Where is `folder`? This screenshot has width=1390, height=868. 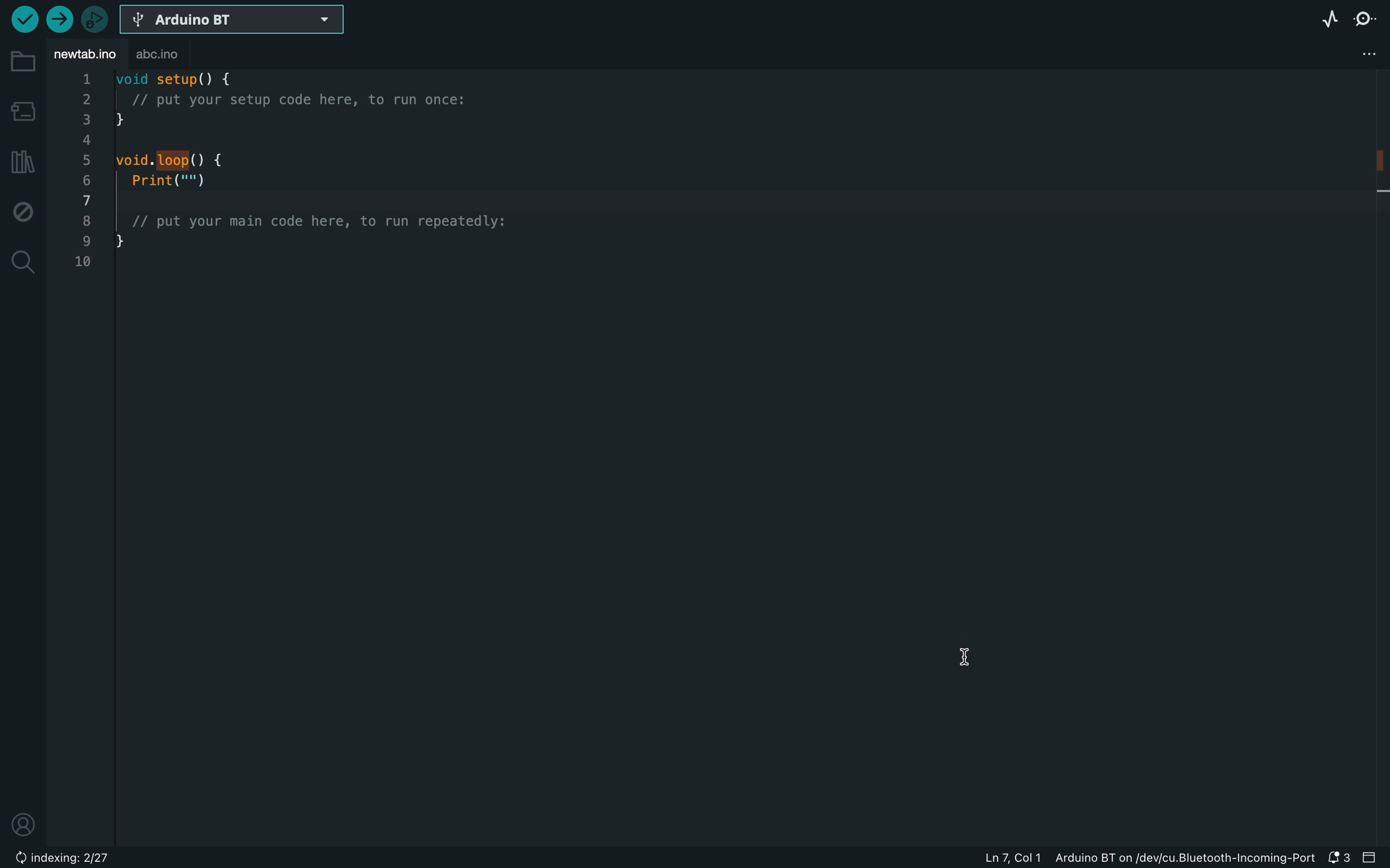 folder is located at coordinates (25, 61).